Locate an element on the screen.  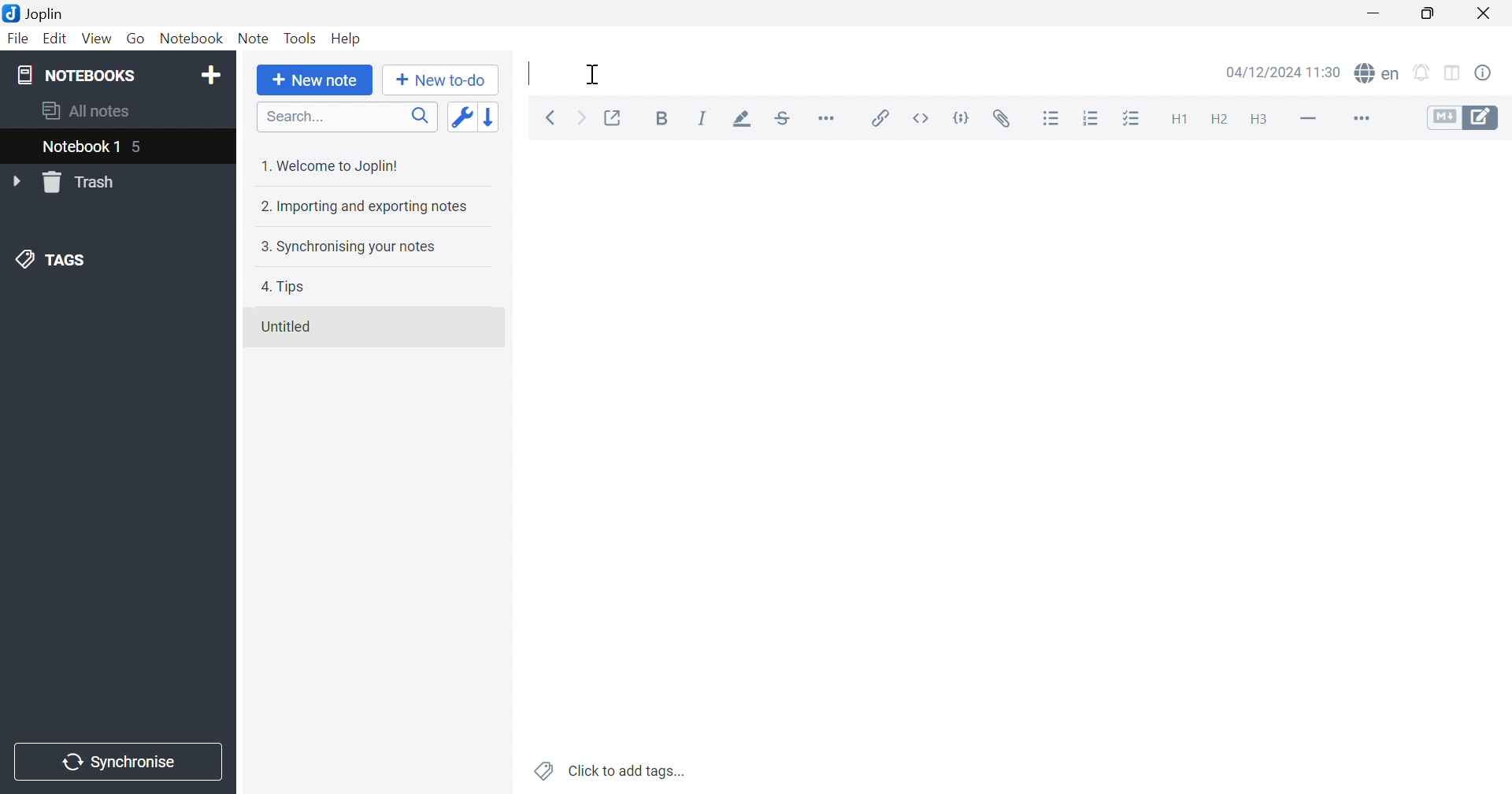
Tools is located at coordinates (299, 38).